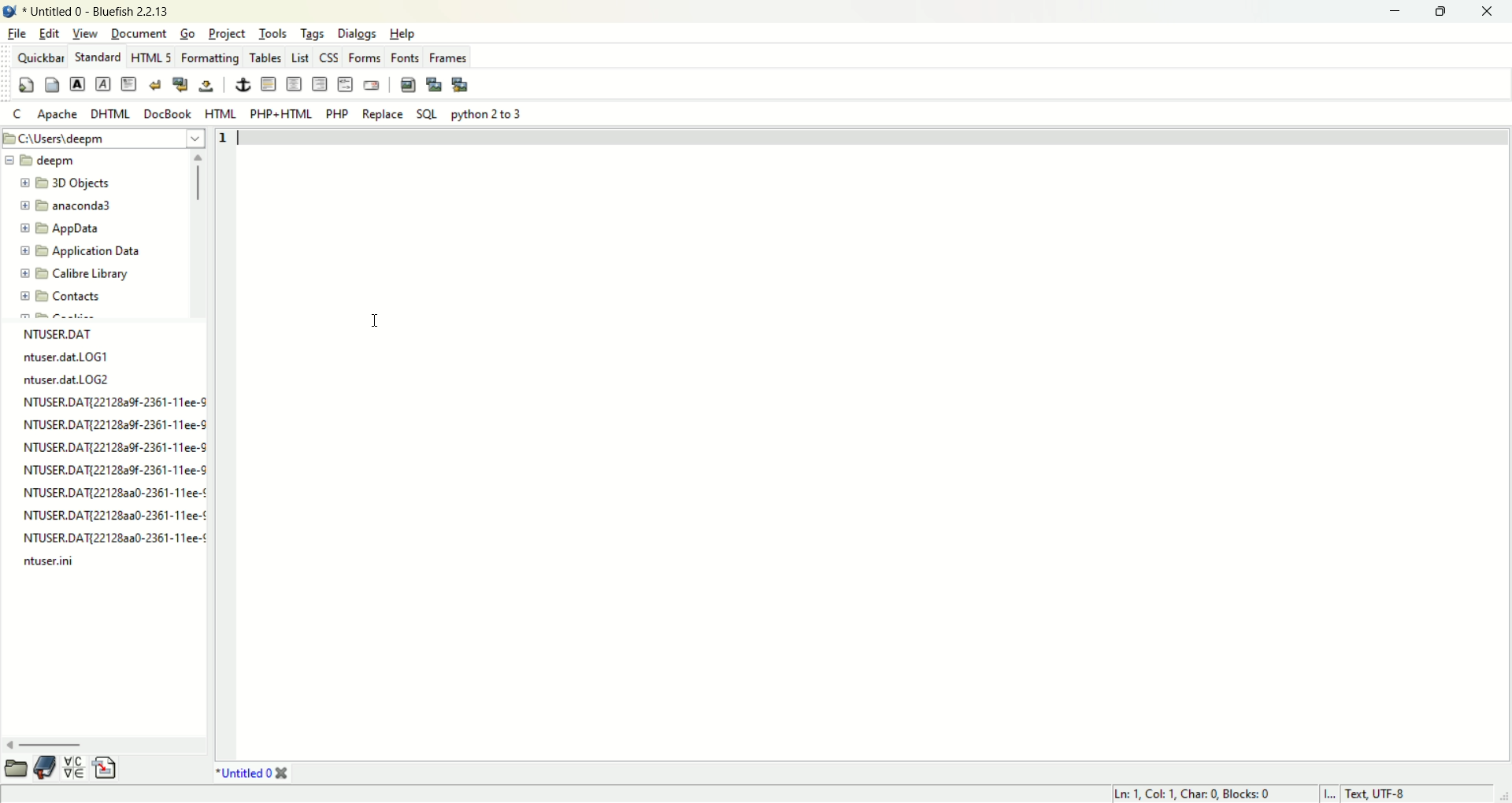  What do you see at coordinates (1443, 12) in the screenshot?
I see `maximize` at bounding box center [1443, 12].